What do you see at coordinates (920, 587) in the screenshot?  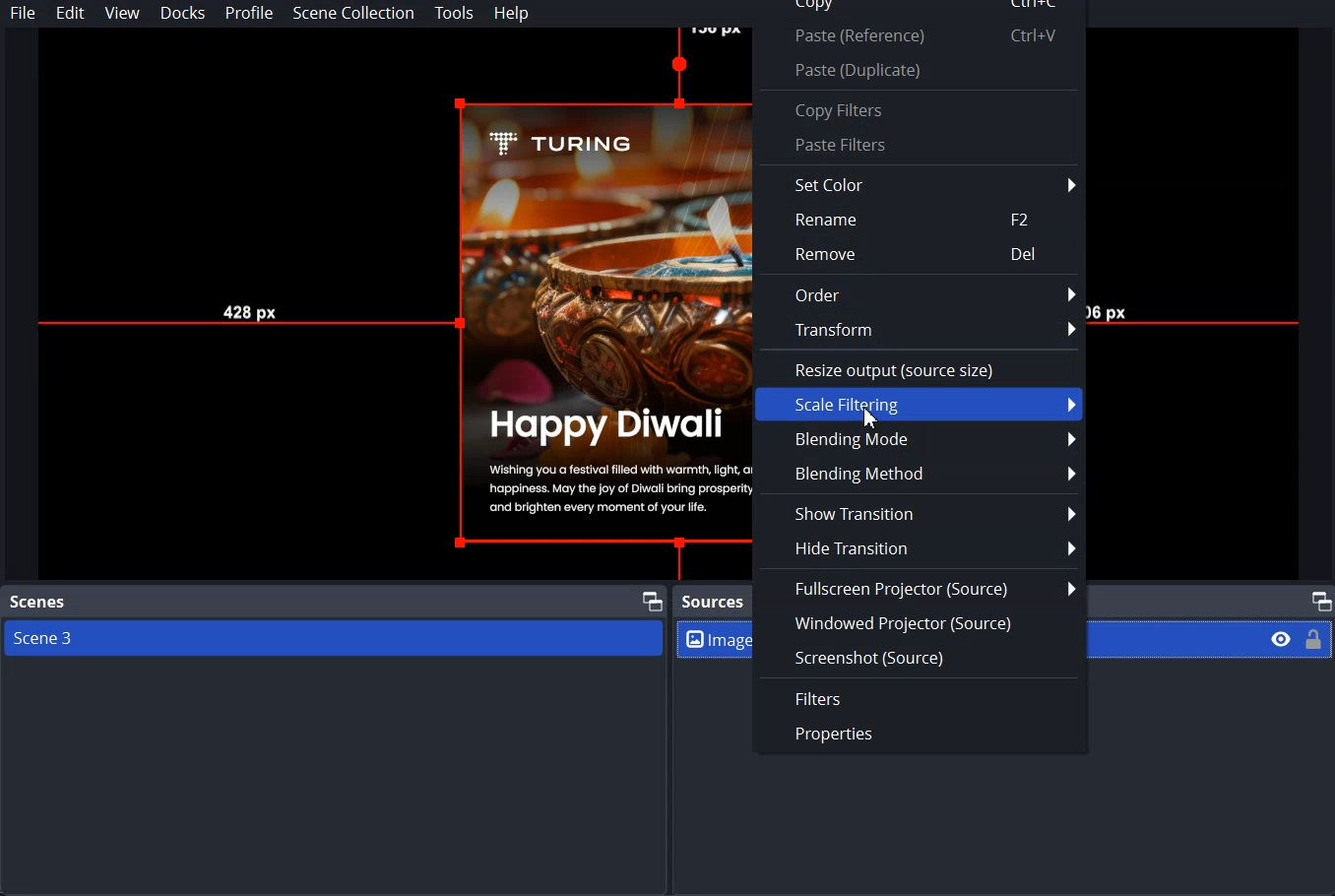 I see `Full screen projector` at bounding box center [920, 587].